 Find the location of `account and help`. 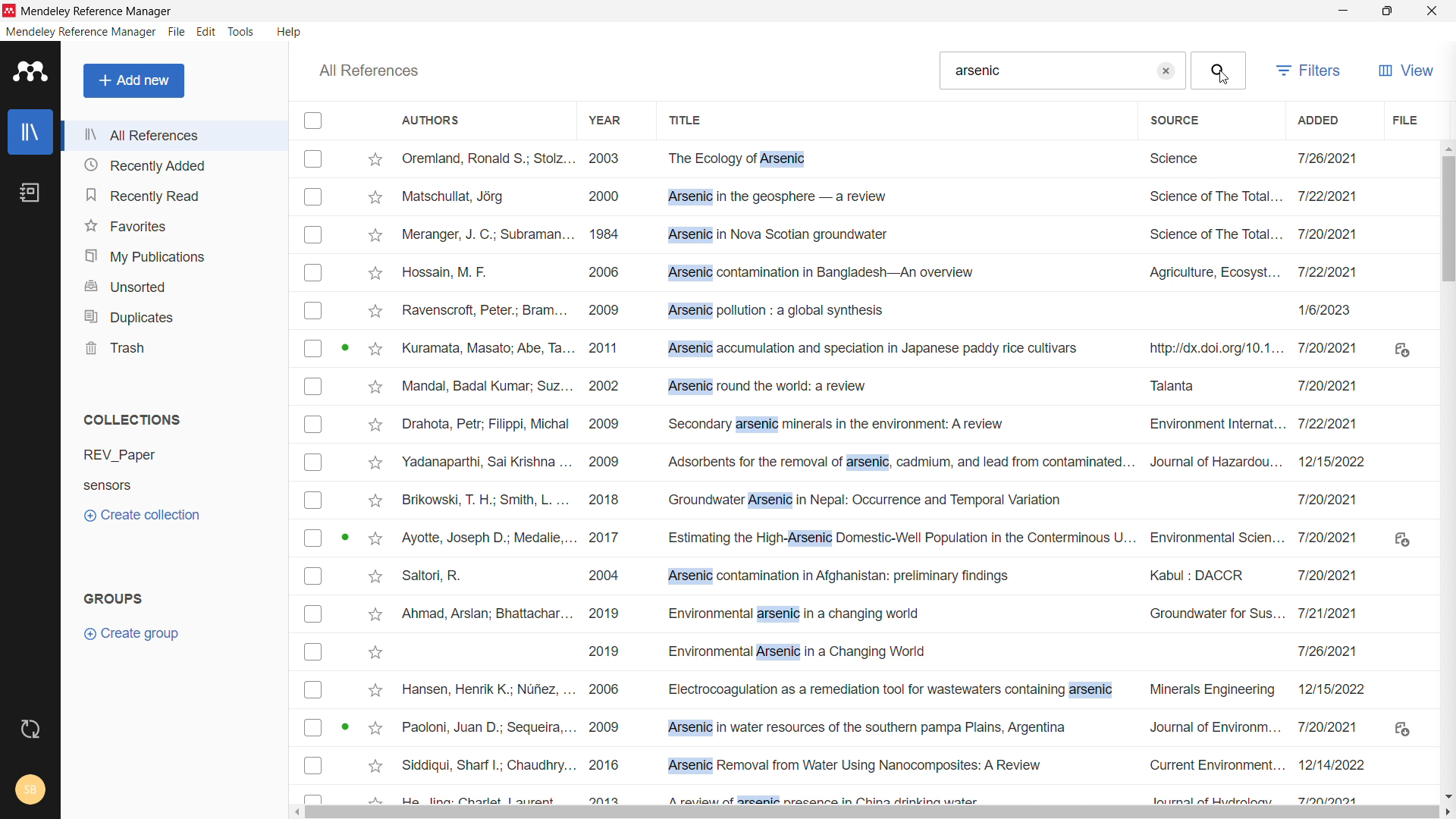

account and help is located at coordinates (30, 789).